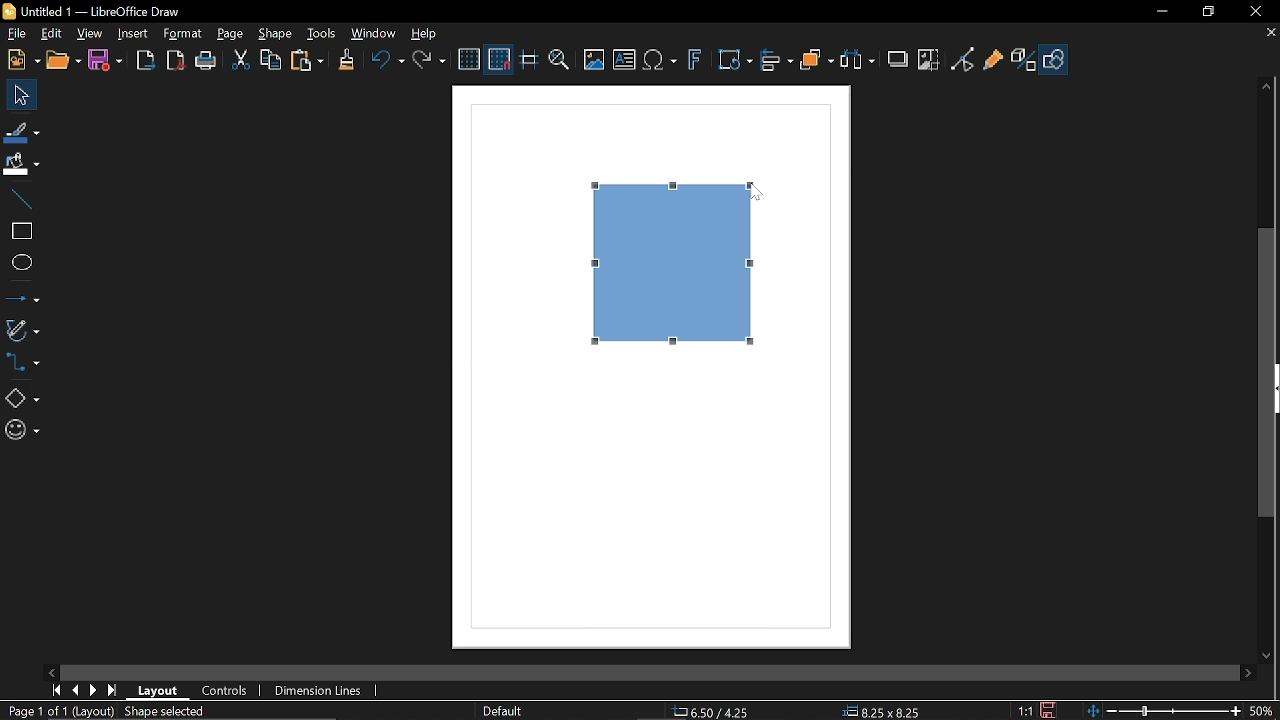 This screenshot has width=1280, height=720. I want to click on Clone formatting, so click(346, 60).